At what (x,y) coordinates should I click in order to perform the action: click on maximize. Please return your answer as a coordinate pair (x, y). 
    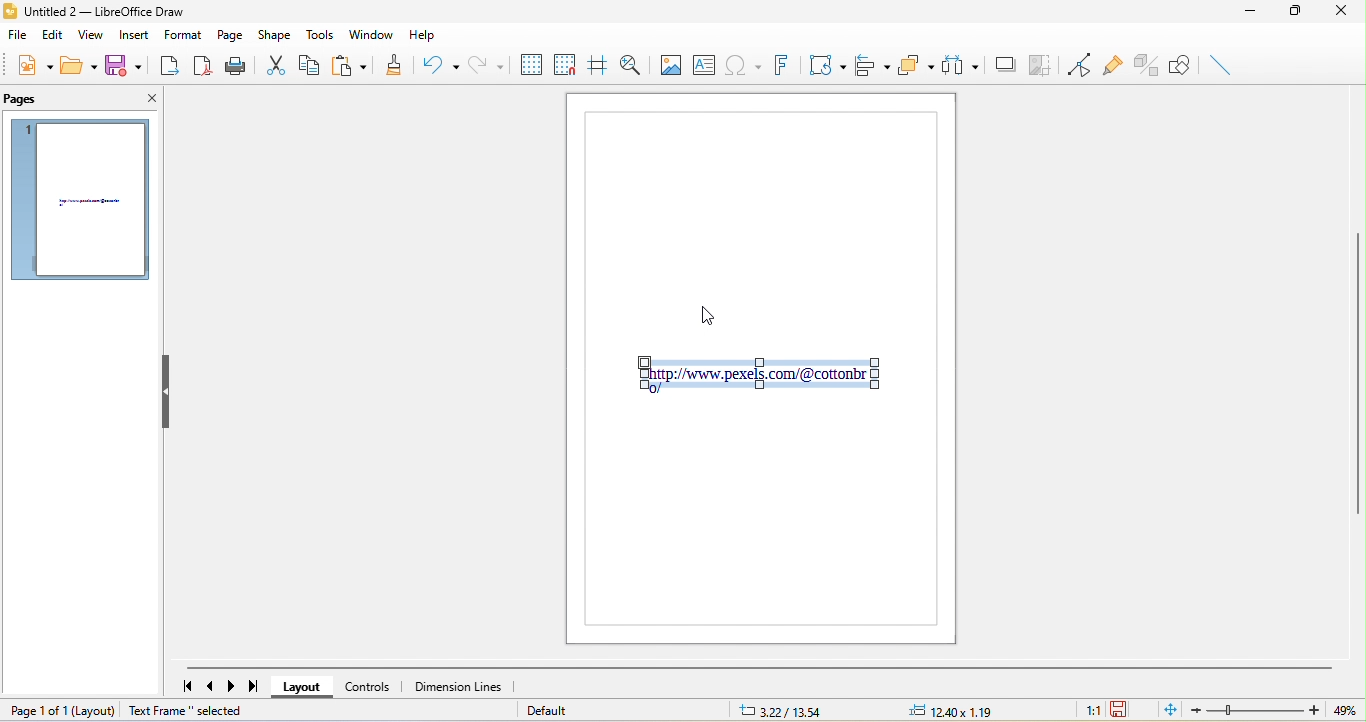
    Looking at the image, I should click on (1293, 11).